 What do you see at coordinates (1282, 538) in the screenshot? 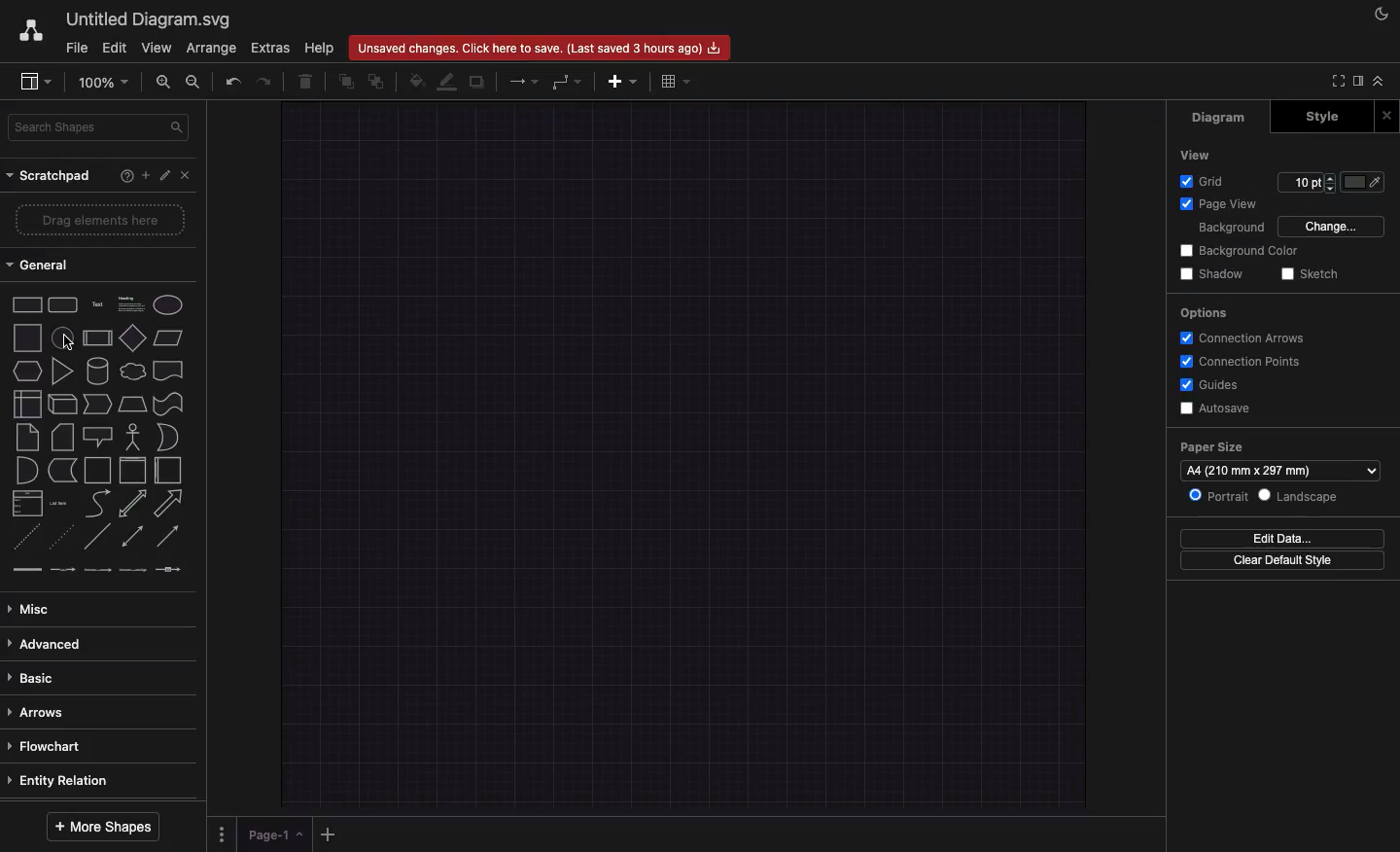
I see `Edit data` at bounding box center [1282, 538].